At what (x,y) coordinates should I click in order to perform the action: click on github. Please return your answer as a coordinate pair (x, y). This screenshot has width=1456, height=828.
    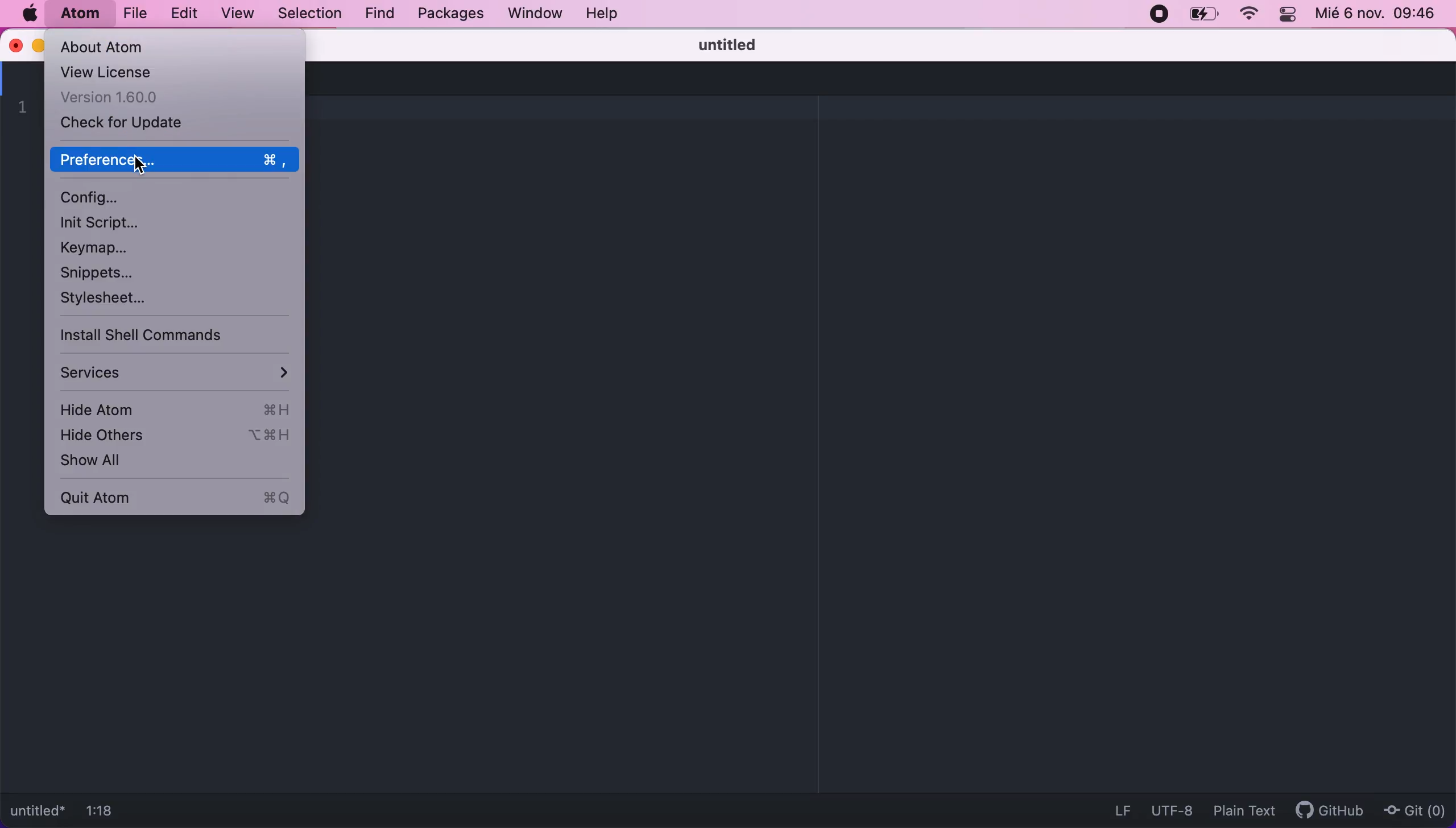
    Looking at the image, I should click on (1334, 810).